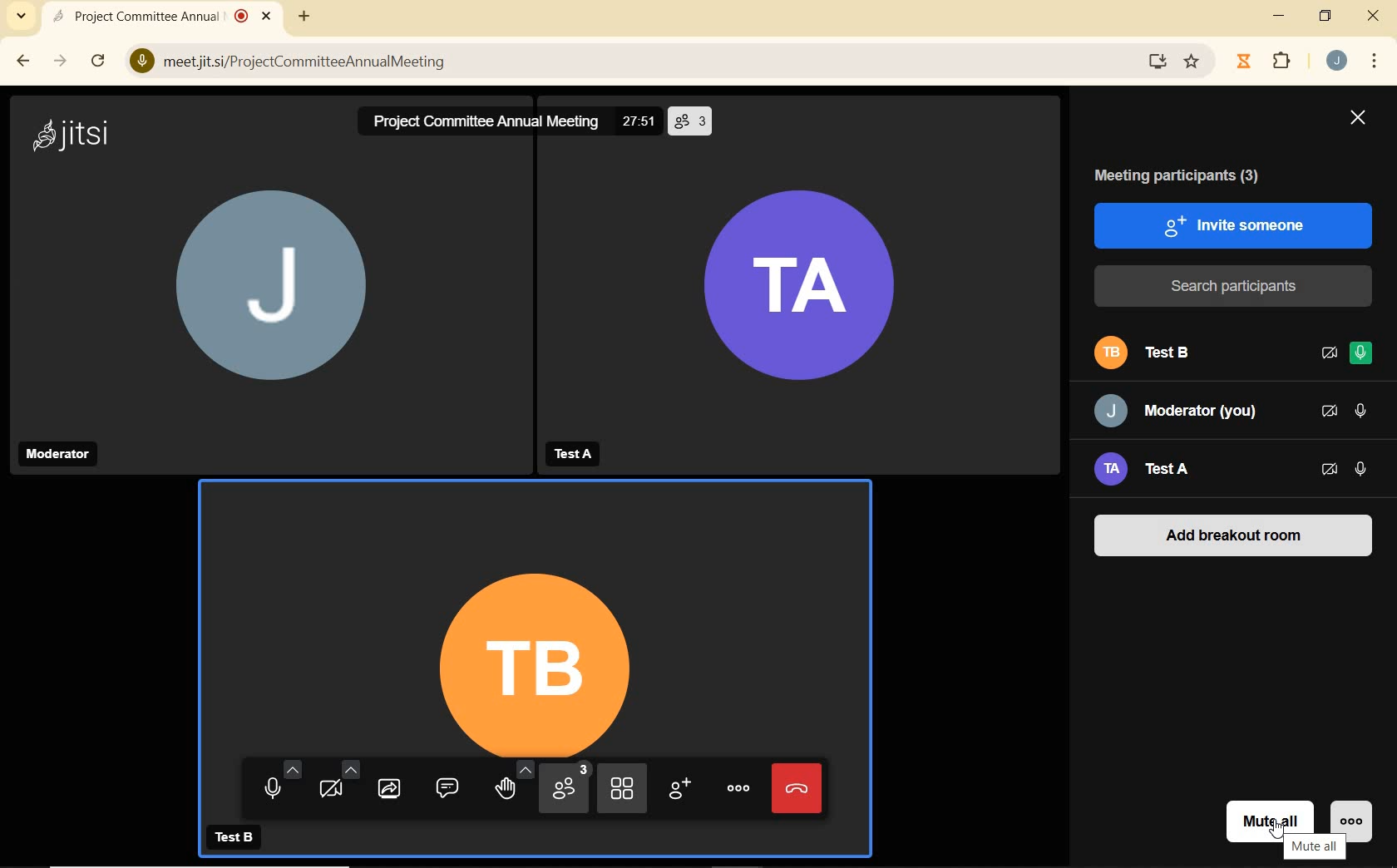 The width and height of the screenshot is (1397, 868). Describe the element at coordinates (444, 792) in the screenshot. I see `OPEN CHAT` at that location.